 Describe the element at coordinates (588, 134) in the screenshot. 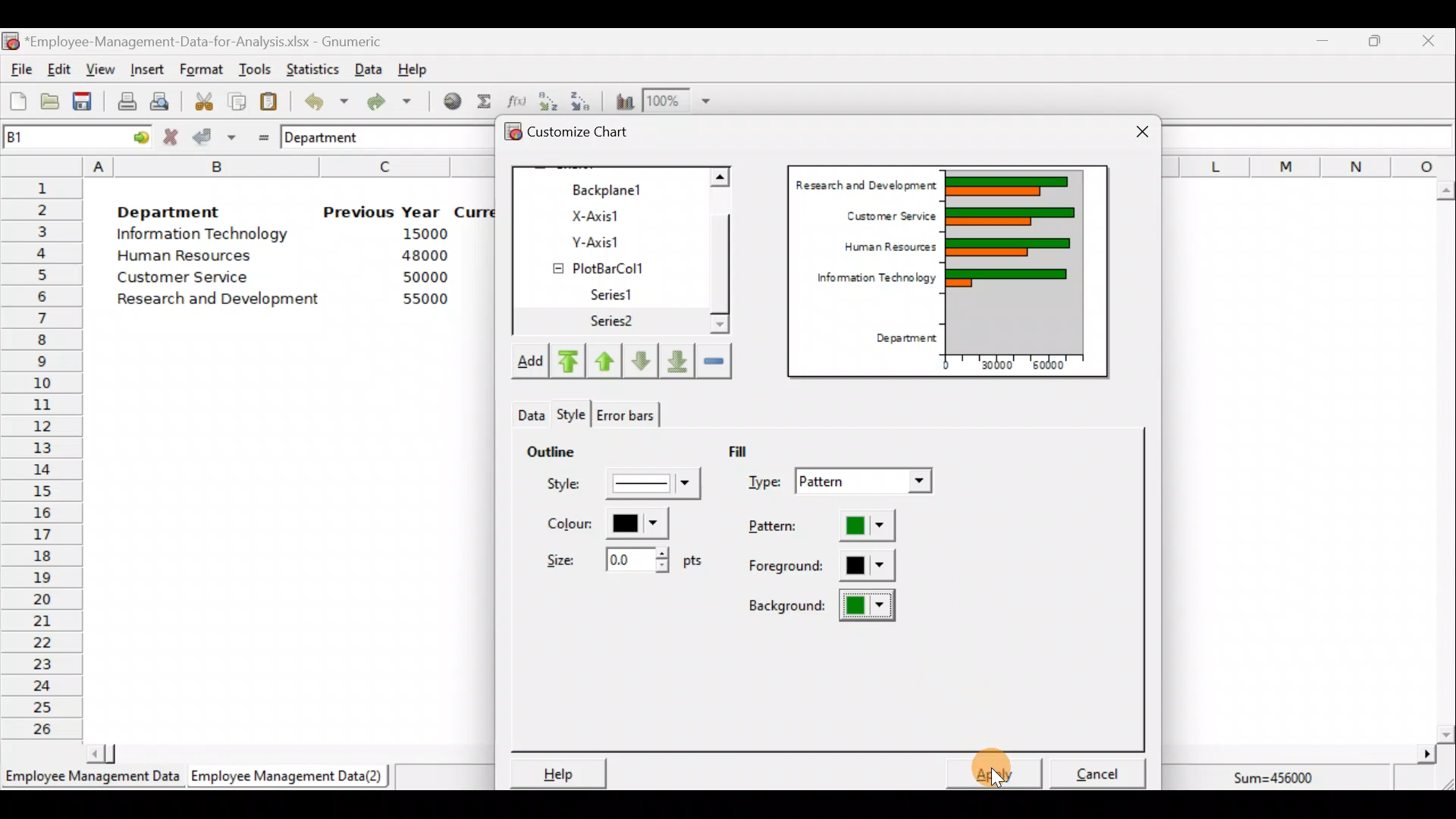

I see `Customize chart` at that location.